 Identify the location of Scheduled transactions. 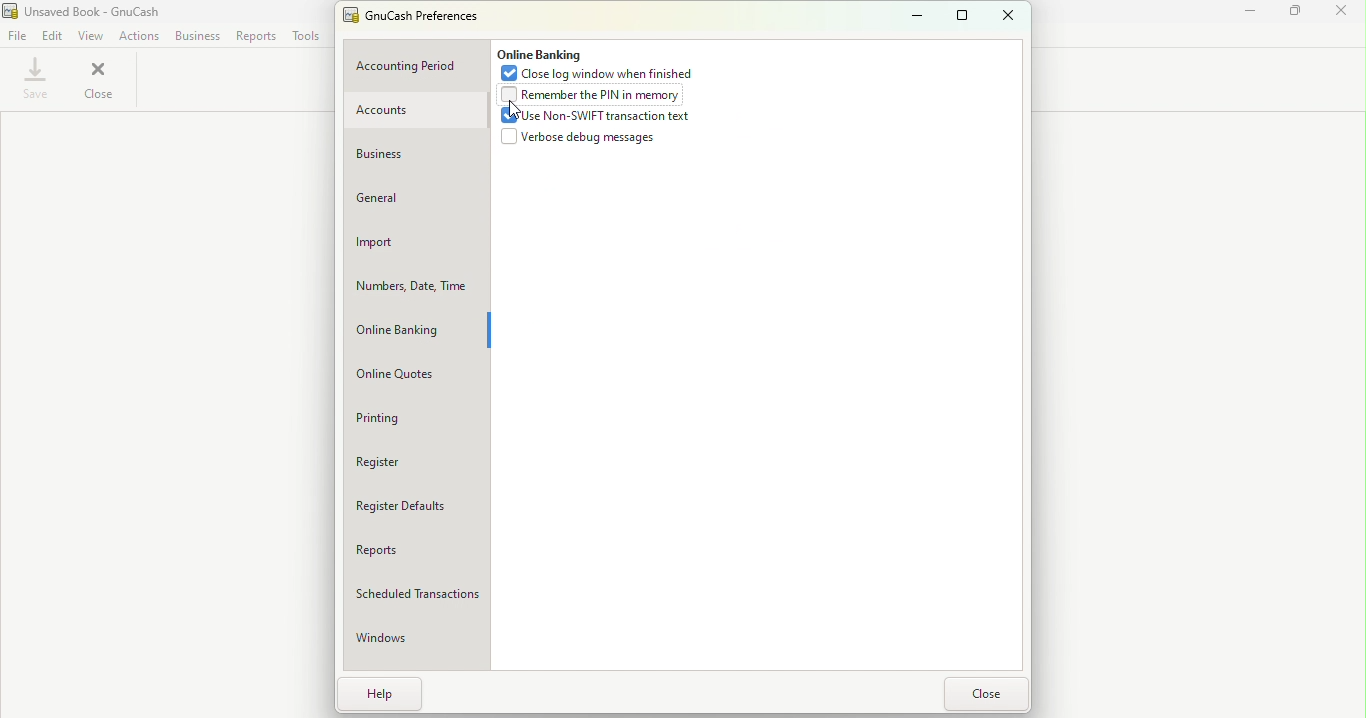
(419, 594).